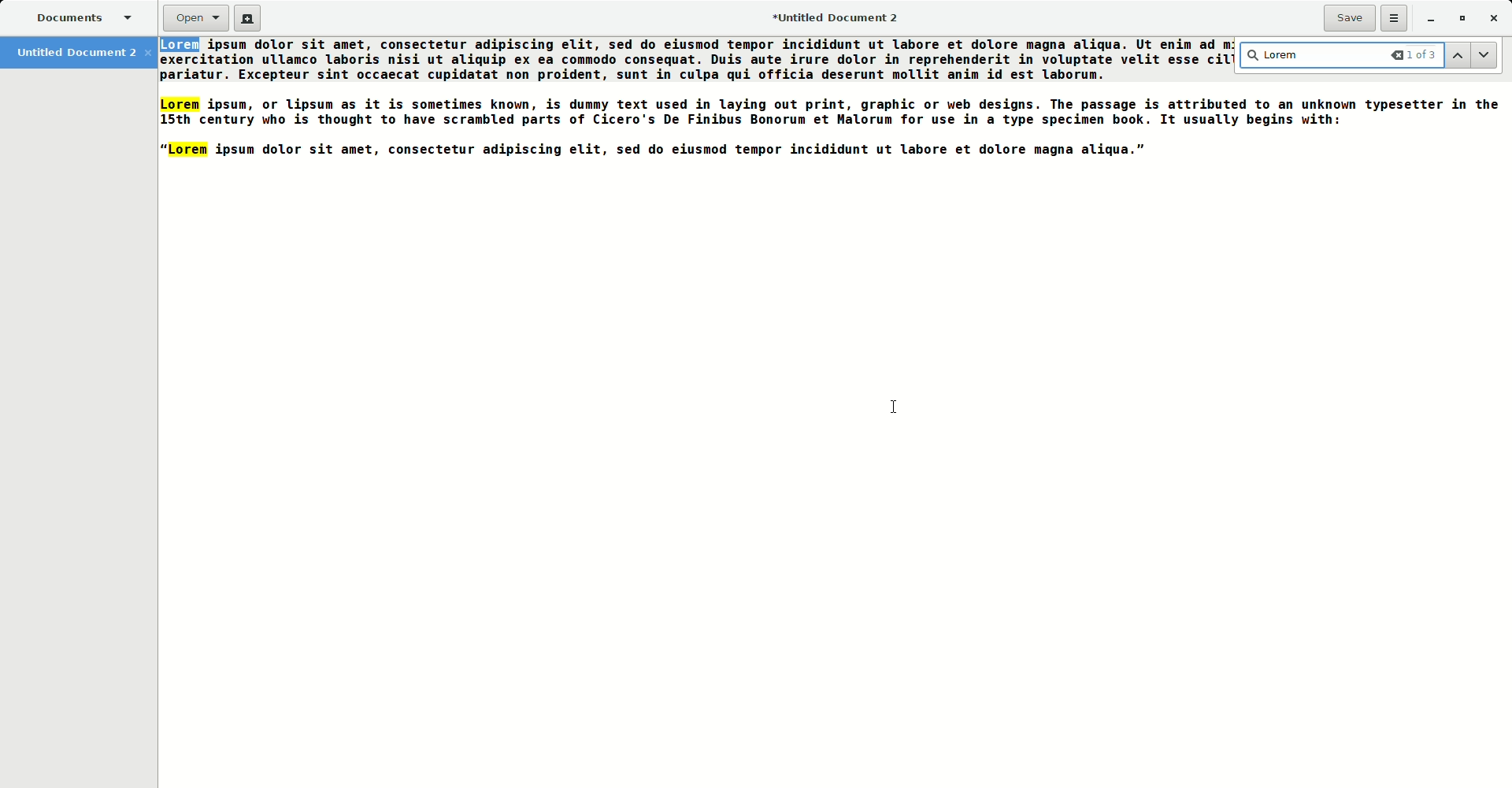  Describe the element at coordinates (189, 19) in the screenshot. I see `Open` at that location.